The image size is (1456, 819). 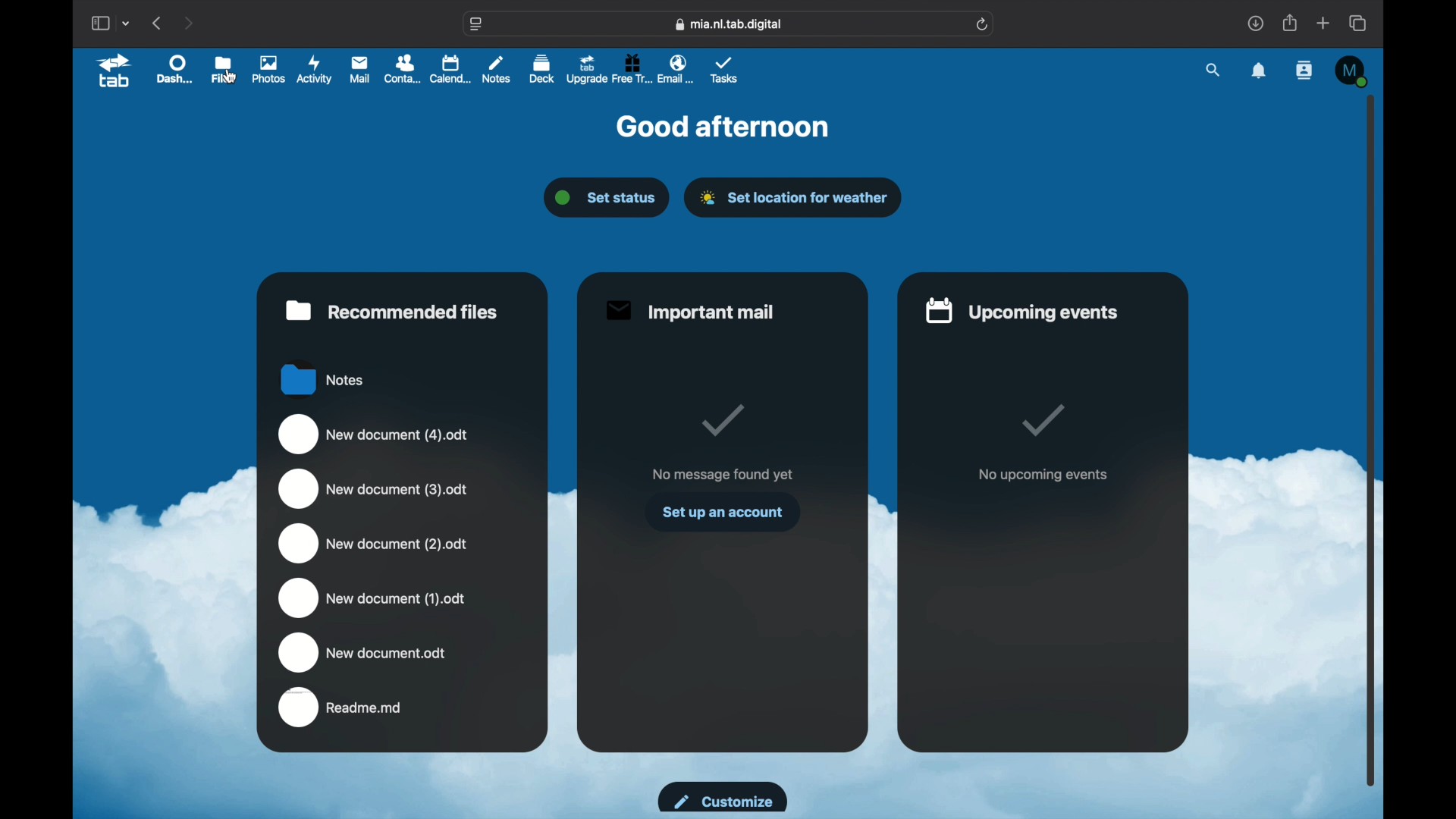 I want to click on no message found yet, so click(x=722, y=475).